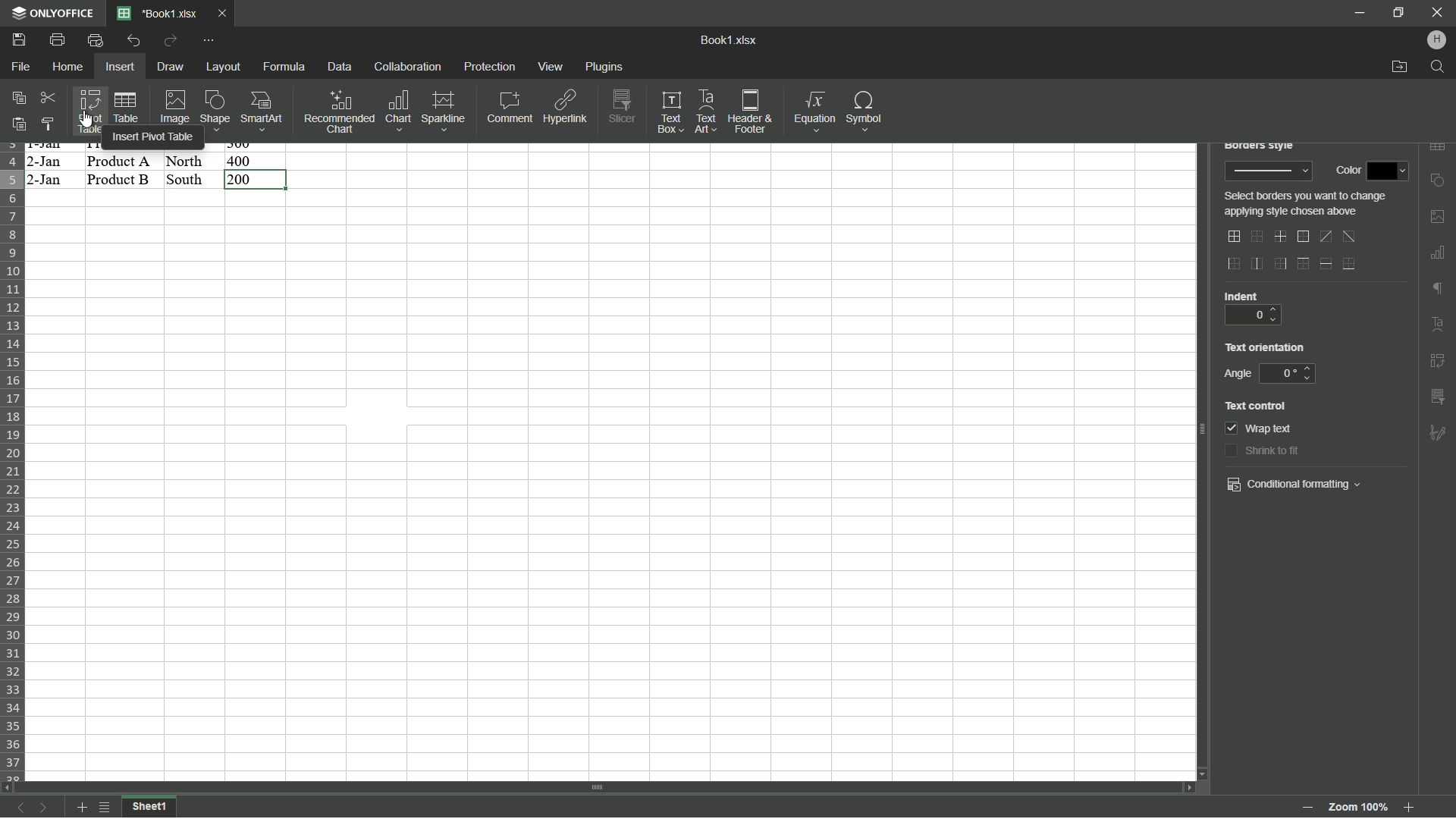 Image resolution: width=1456 pixels, height=819 pixels. I want to click on Quick print, so click(94, 42).